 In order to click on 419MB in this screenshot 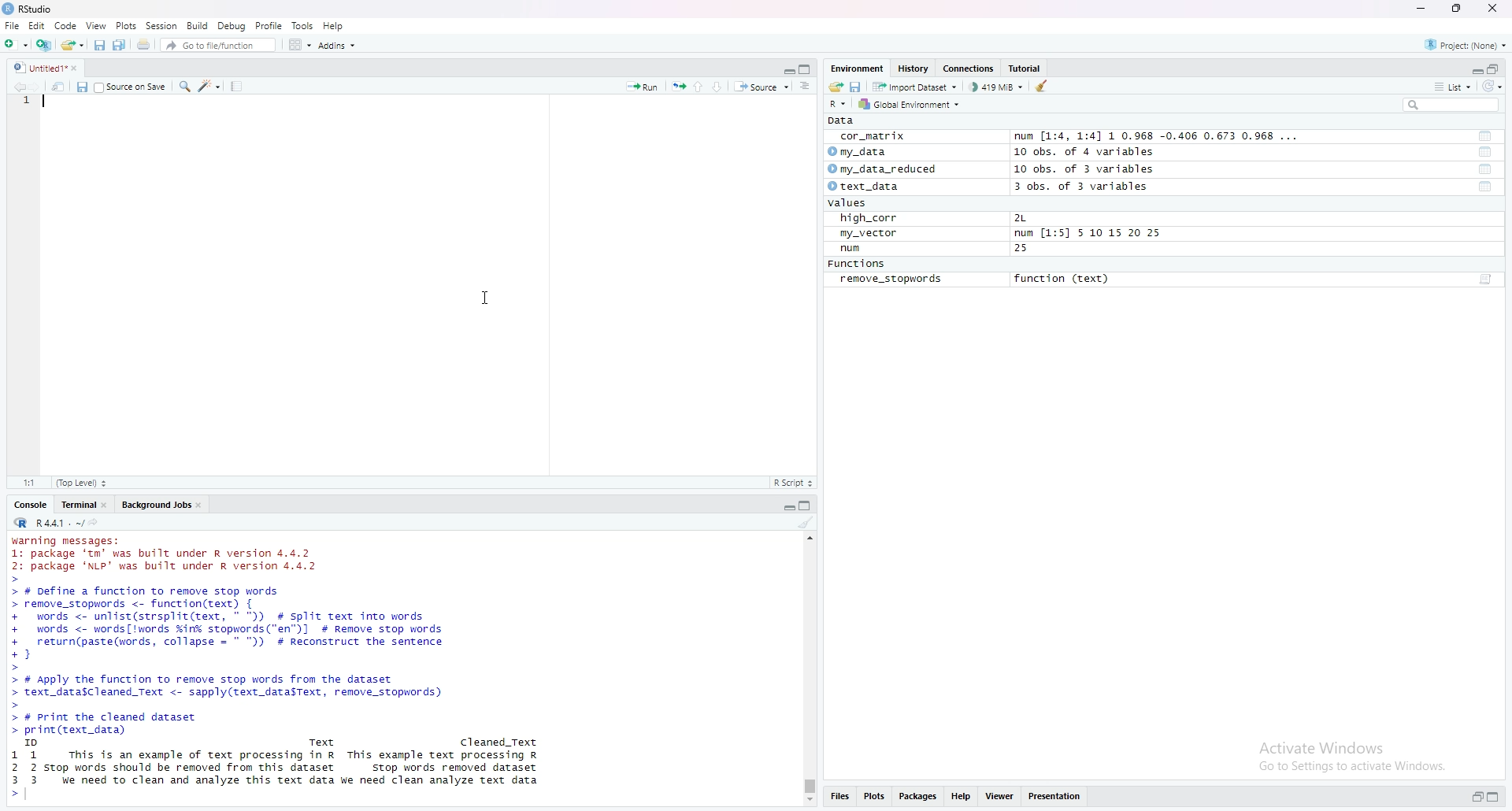, I will do `click(995, 88)`.